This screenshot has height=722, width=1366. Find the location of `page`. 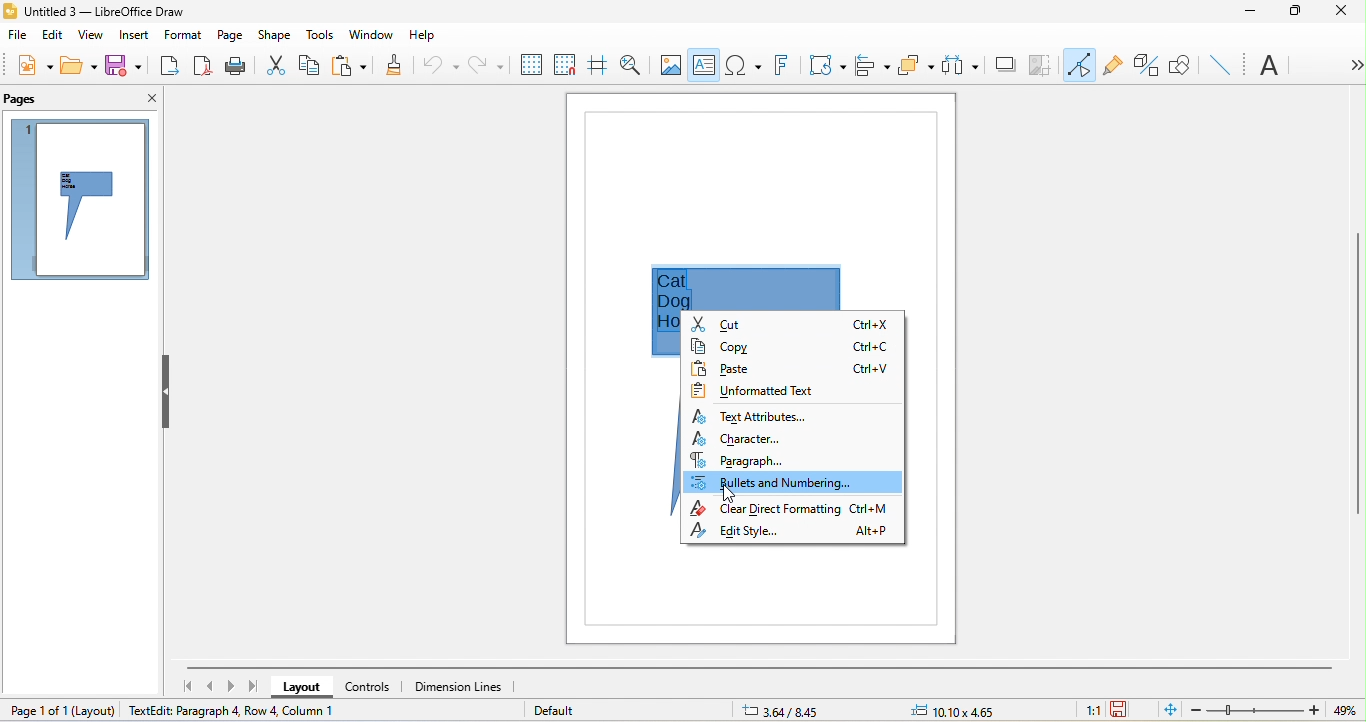

page is located at coordinates (230, 32).